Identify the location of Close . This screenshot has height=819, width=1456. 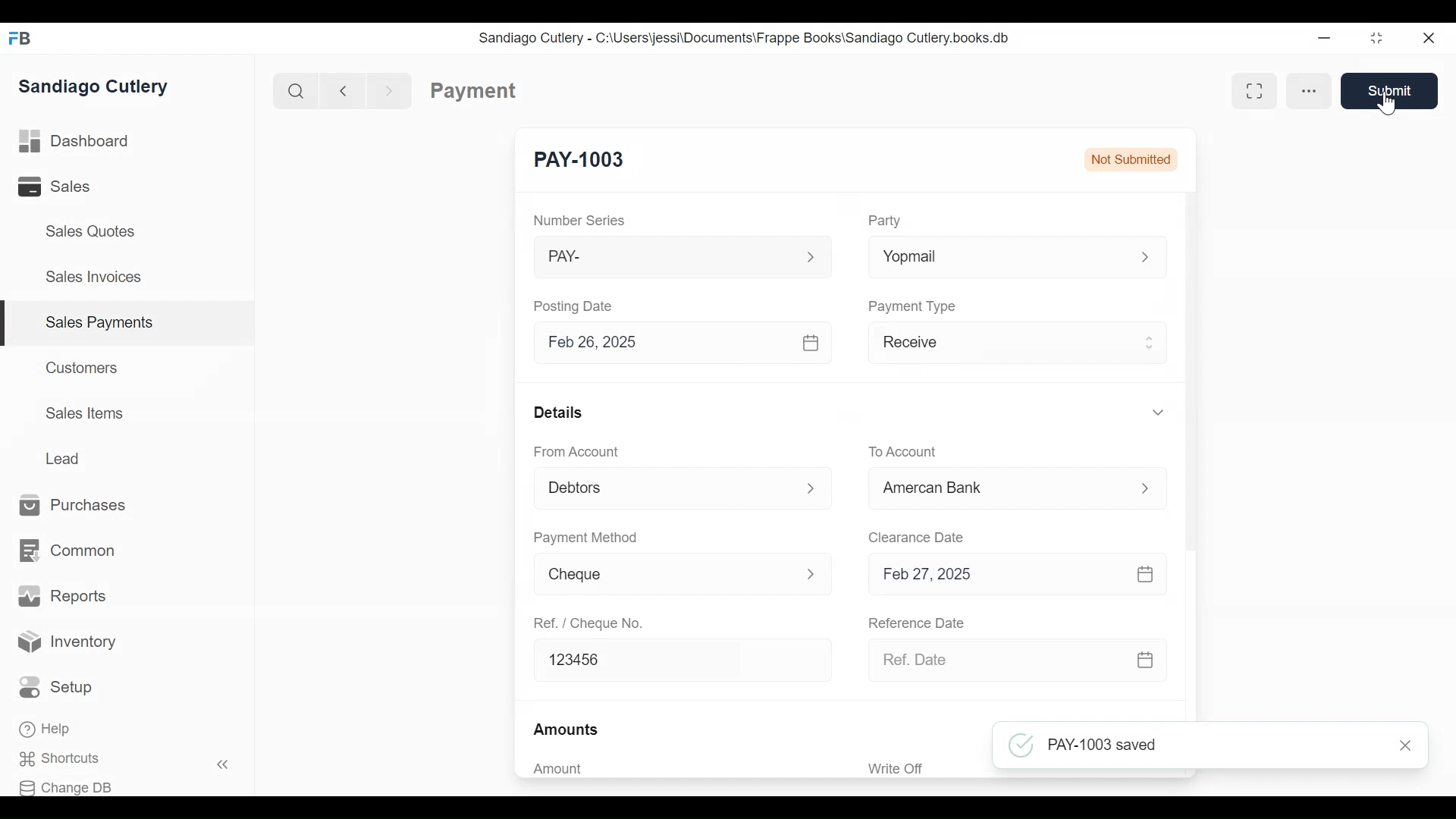
(1430, 38).